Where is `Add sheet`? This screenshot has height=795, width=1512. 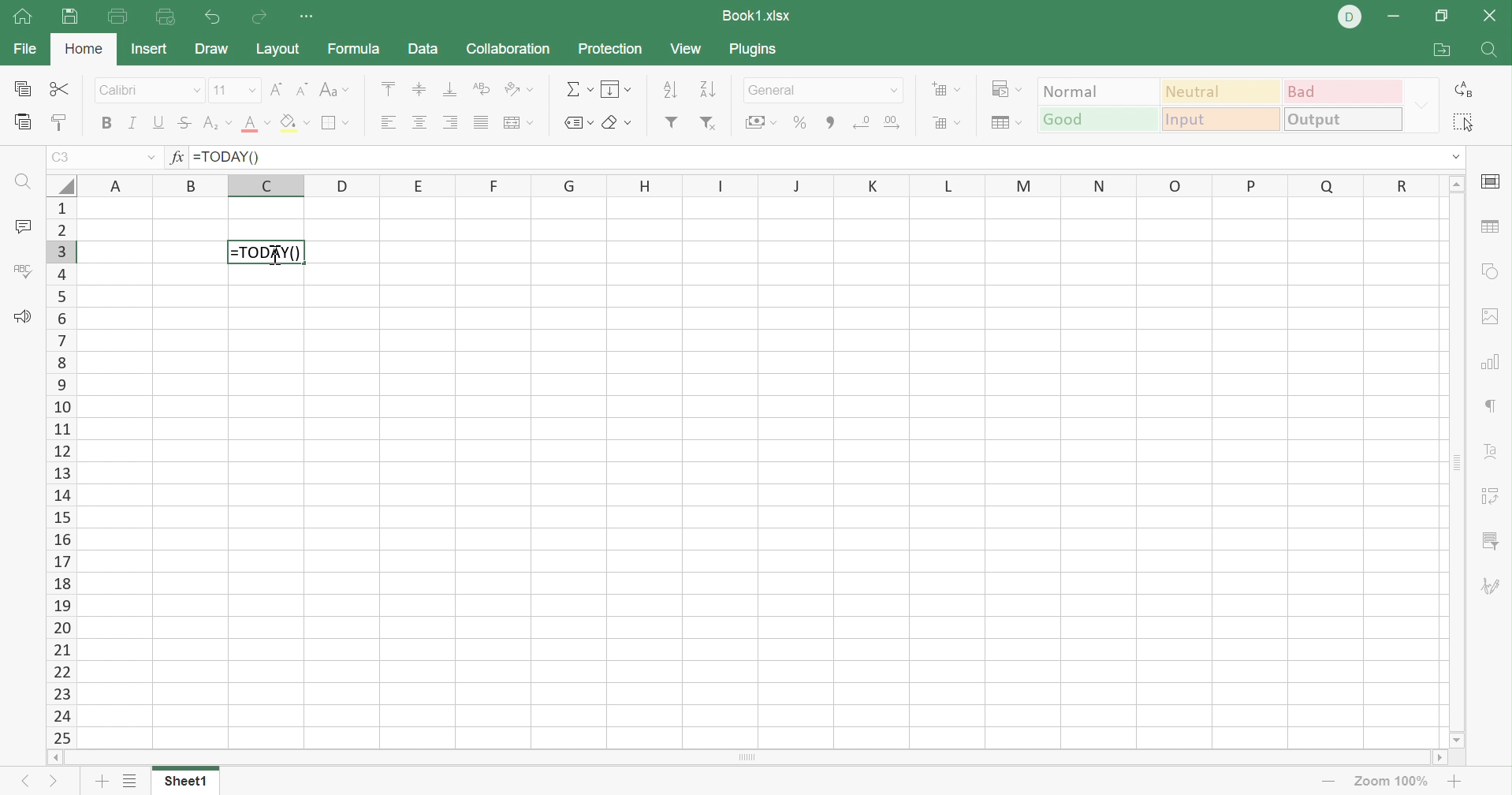
Add sheet is located at coordinates (102, 784).